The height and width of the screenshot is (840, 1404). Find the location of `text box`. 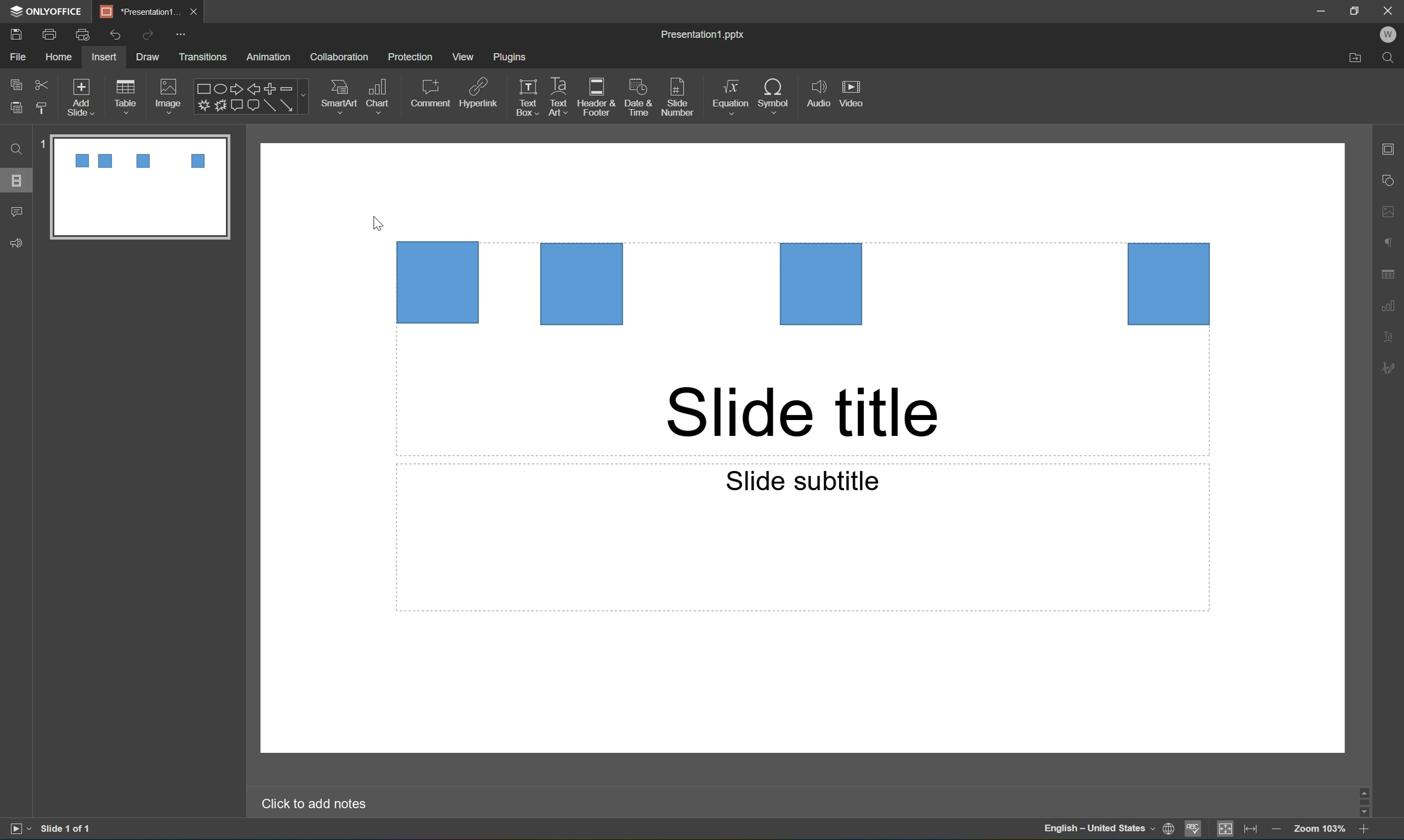

text box is located at coordinates (524, 98).